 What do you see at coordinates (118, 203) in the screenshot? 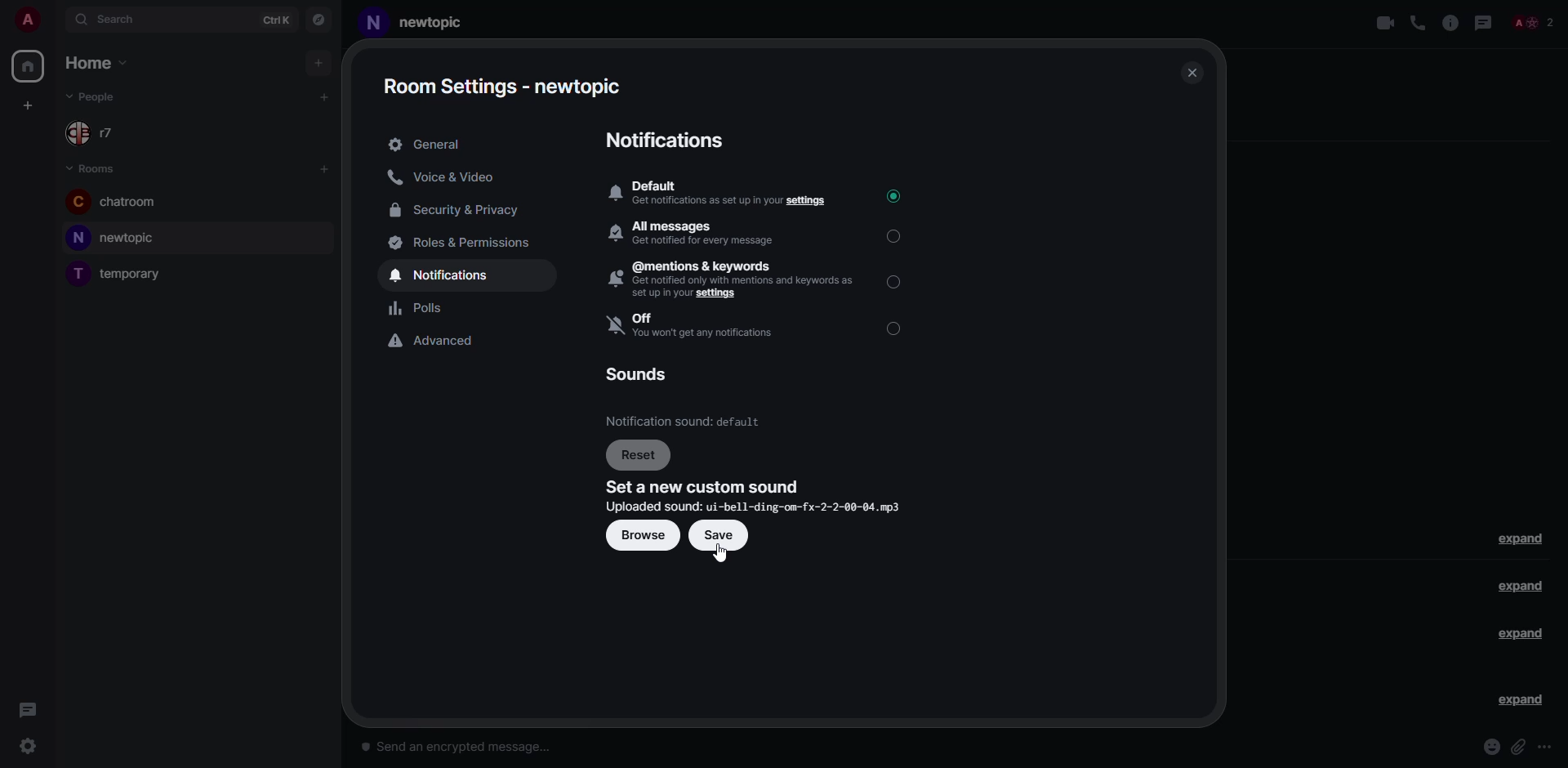
I see `room` at bounding box center [118, 203].